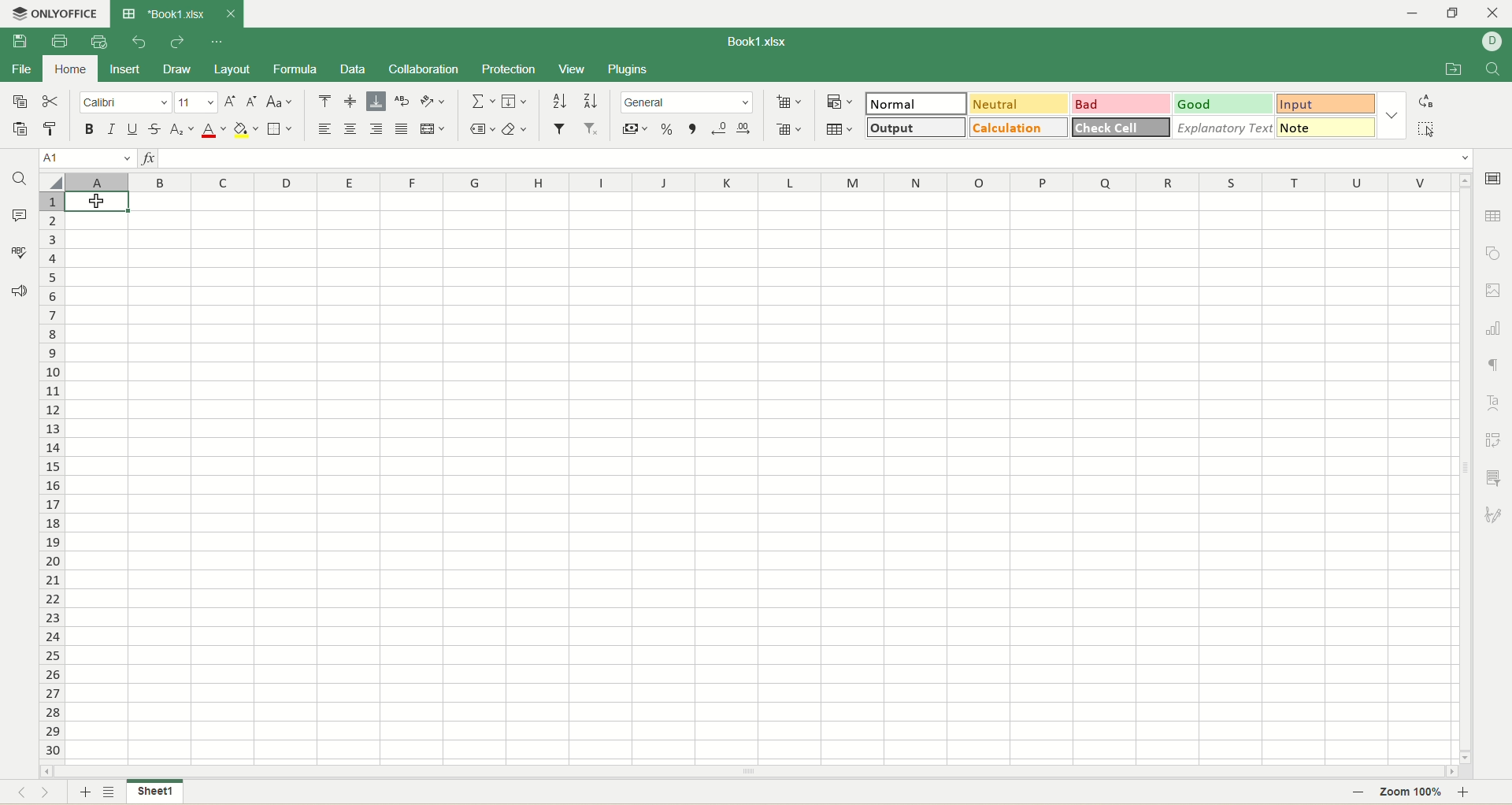 The image size is (1512, 805). What do you see at coordinates (53, 180) in the screenshot?
I see `select all` at bounding box center [53, 180].